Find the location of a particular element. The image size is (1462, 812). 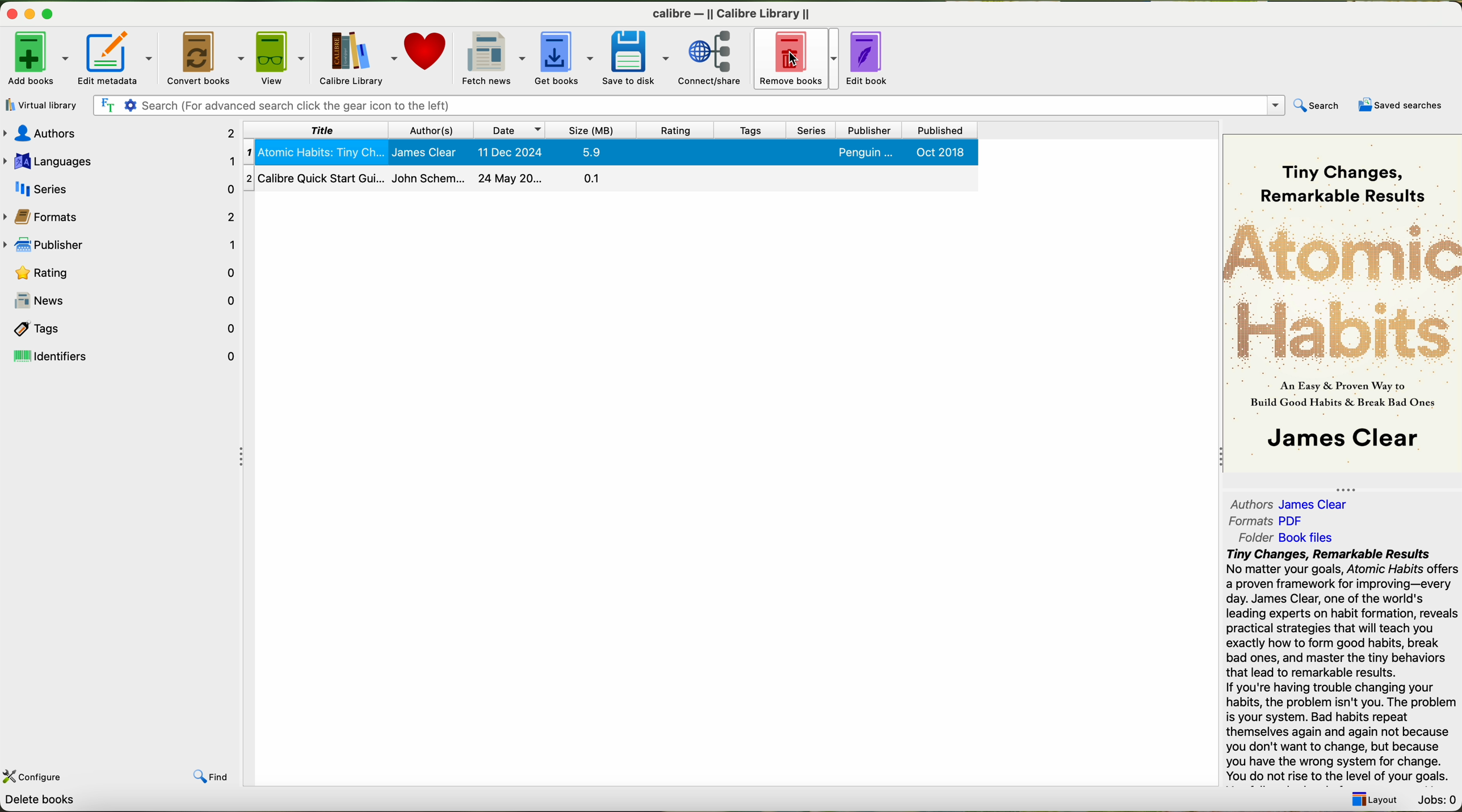

series is located at coordinates (121, 187).